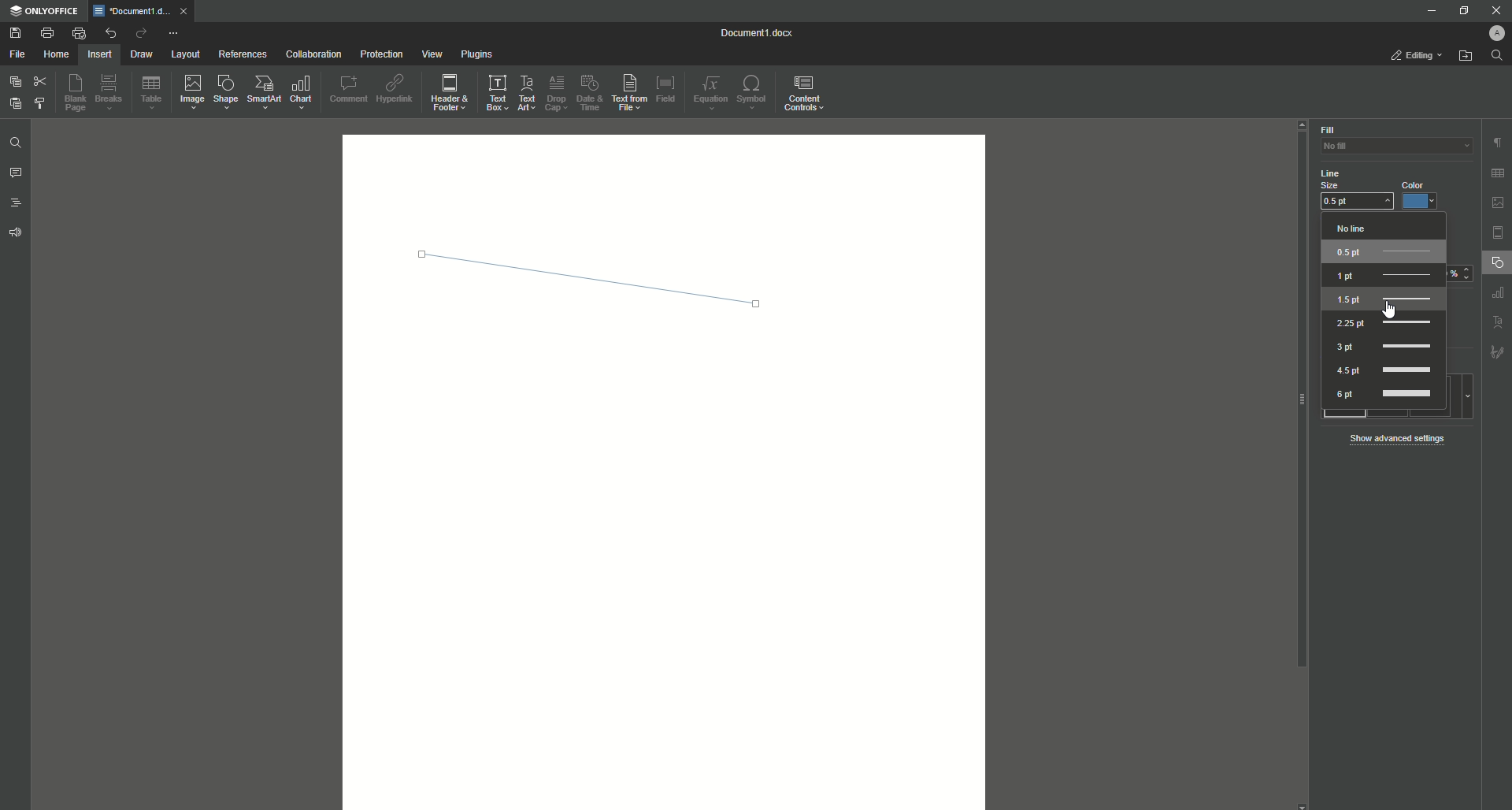 This screenshot has width=1512, height=810. What do you see at coordinates (13, 105) in the screenshot?
I see `Paste` at bounding box center [13, 105].